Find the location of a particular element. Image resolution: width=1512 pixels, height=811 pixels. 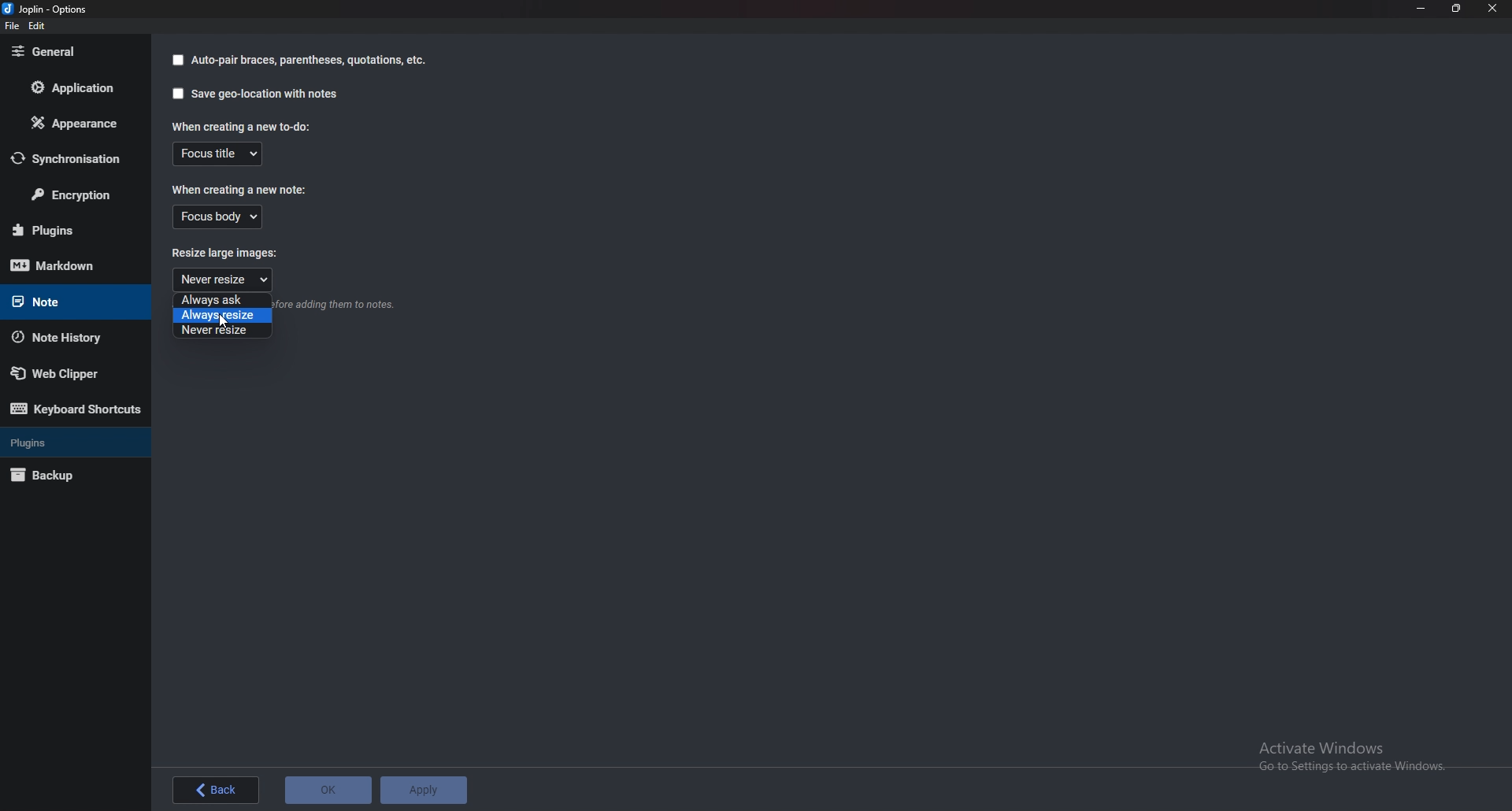

Focus body is located at coordinates (219, 217).